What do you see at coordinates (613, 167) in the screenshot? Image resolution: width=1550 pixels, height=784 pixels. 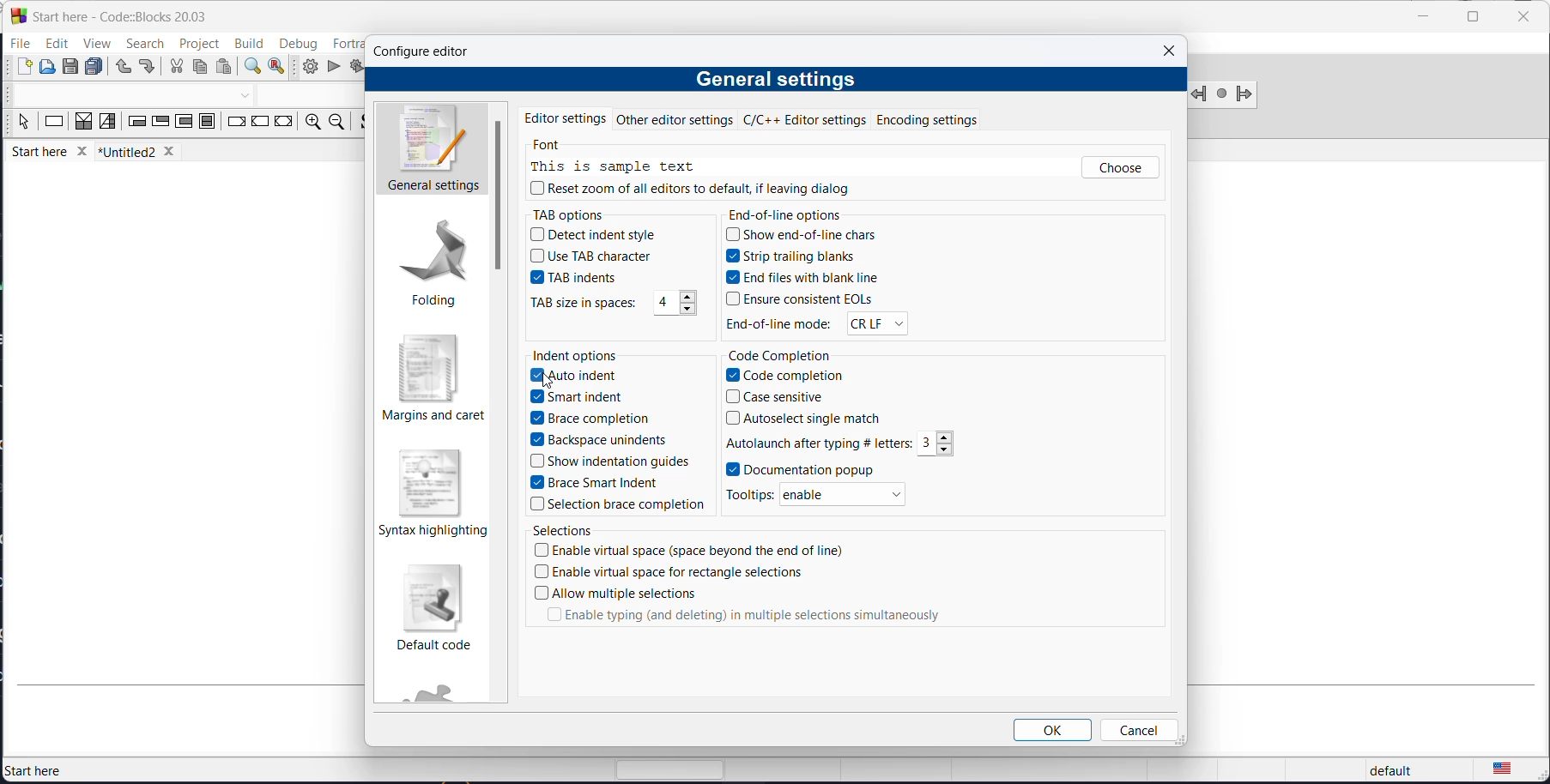 I see `sample text` at bounding box center [613, 167].